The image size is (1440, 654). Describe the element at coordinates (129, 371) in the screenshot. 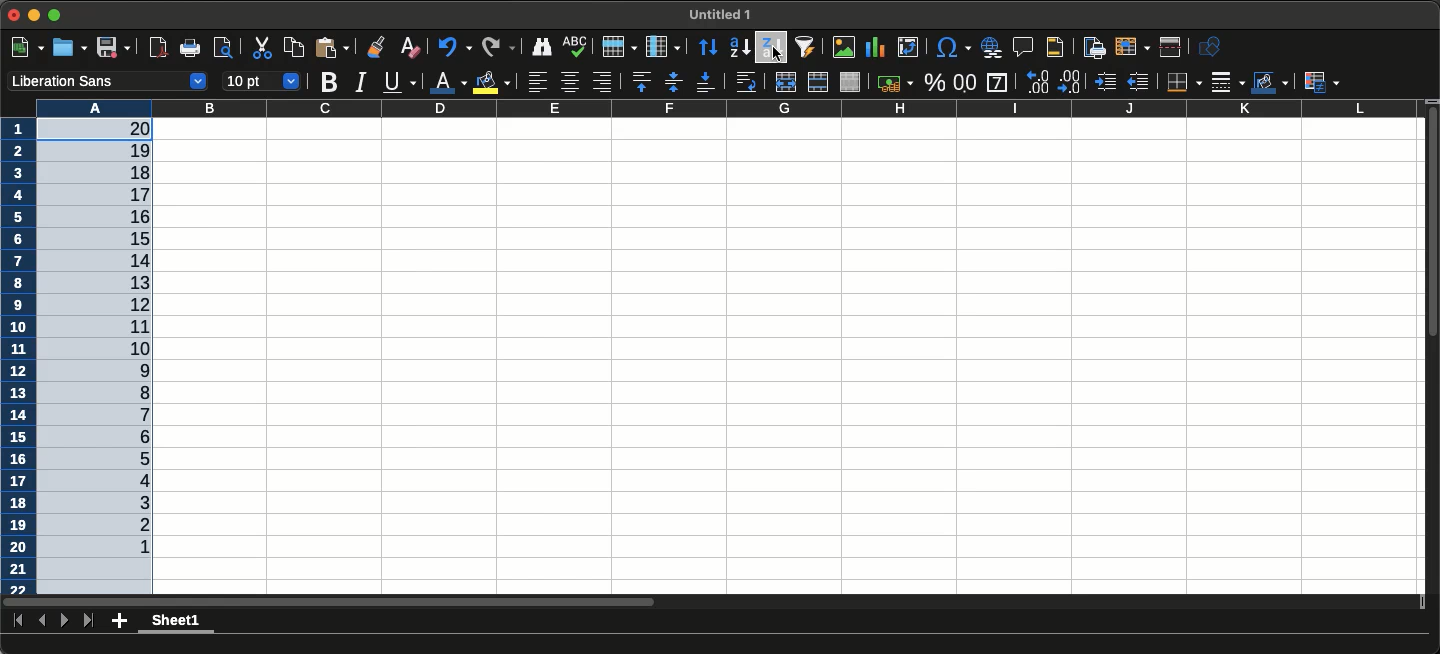

I see `12` at that location.